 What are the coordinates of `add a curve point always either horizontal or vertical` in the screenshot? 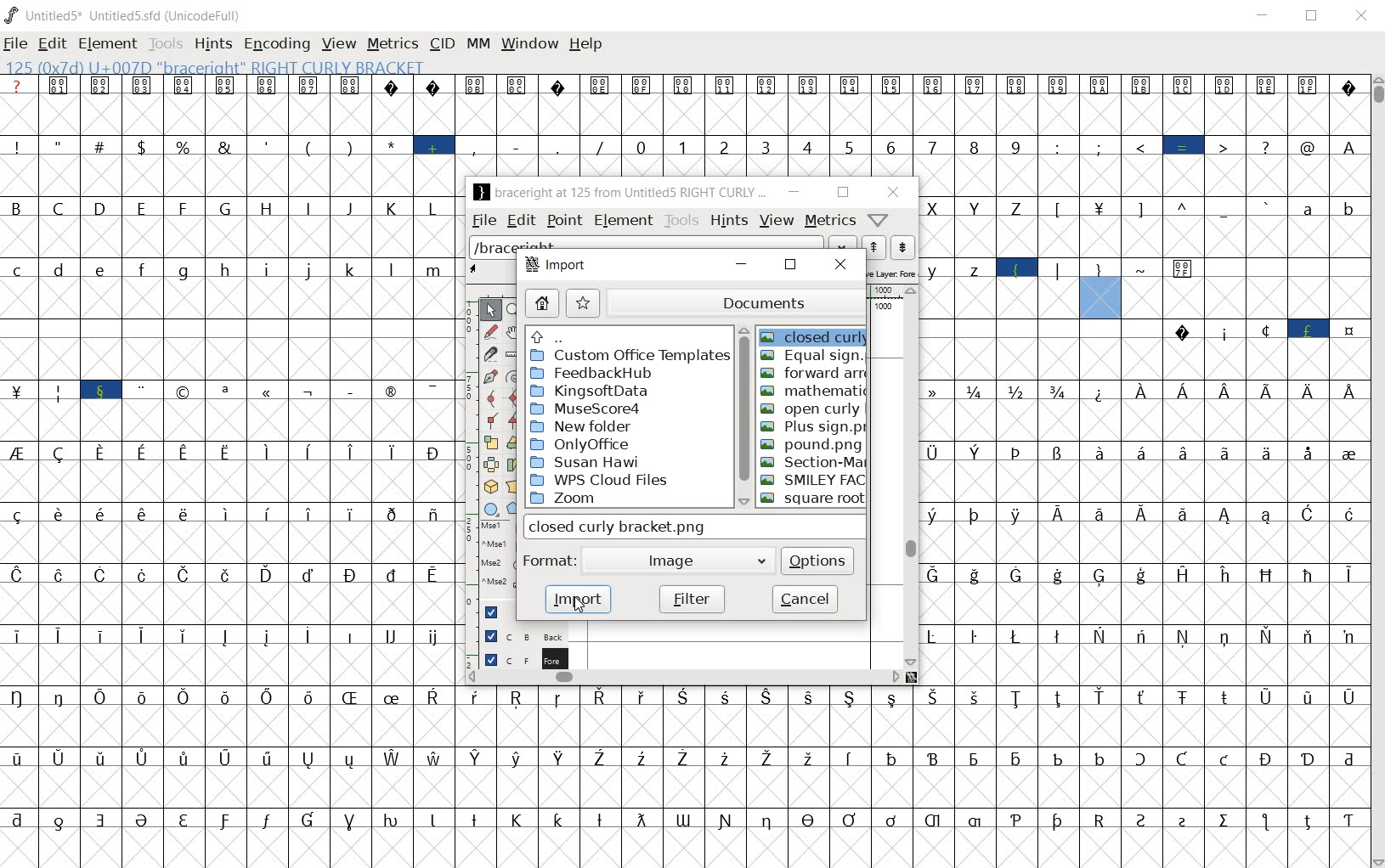 It's located at (489, 397).